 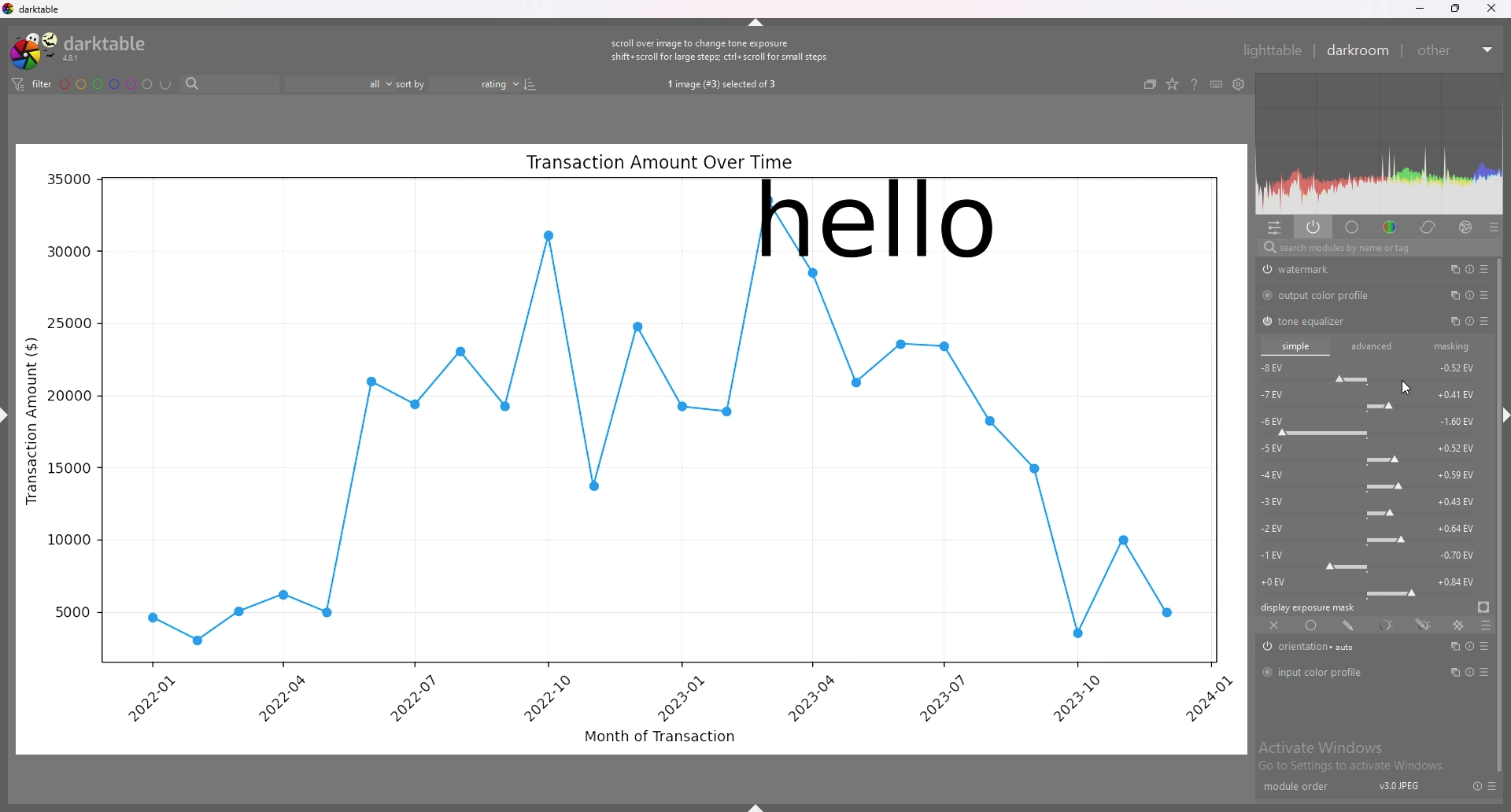 I want to click on drawn and parametric mask, so click(x=1422, y=624).